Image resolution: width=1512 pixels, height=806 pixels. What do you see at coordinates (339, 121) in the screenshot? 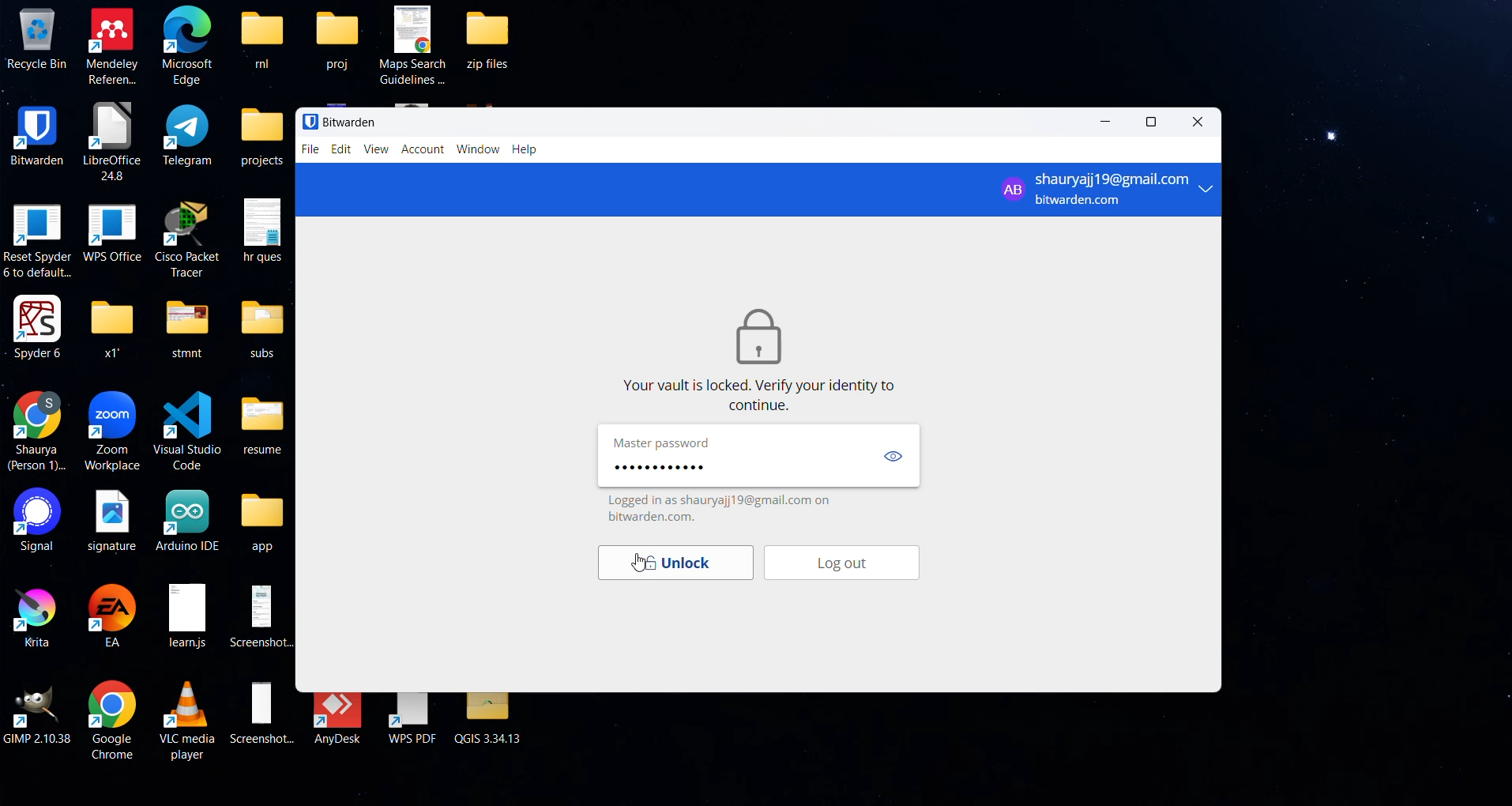
I see `Bitwarden` at bounding box center [339, 121].